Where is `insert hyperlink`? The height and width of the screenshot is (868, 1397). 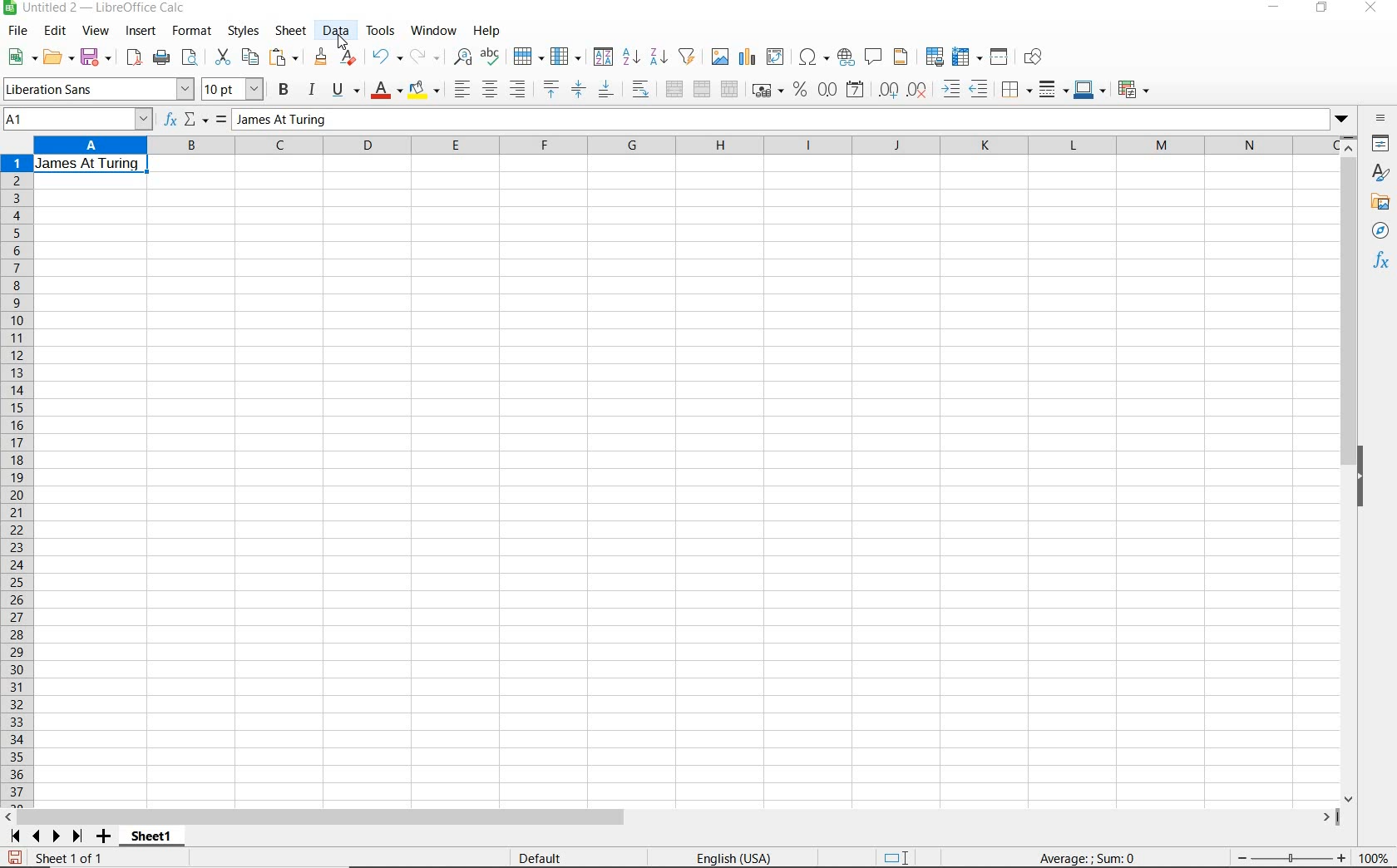
insert hyperlink is located at coordinates (847, 59).